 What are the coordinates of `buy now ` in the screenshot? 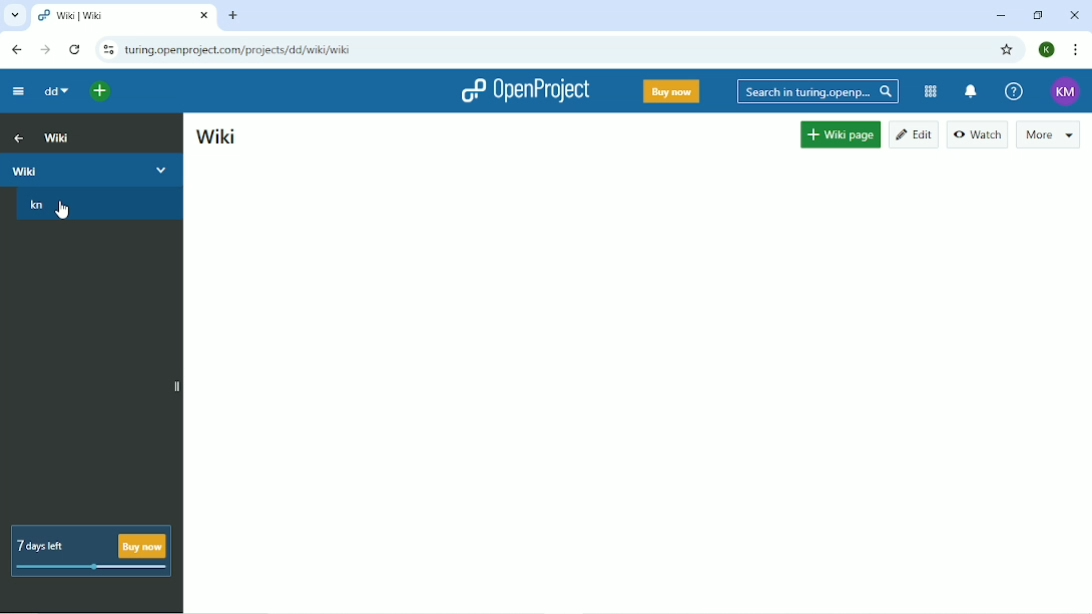 It's located at (147, 547).